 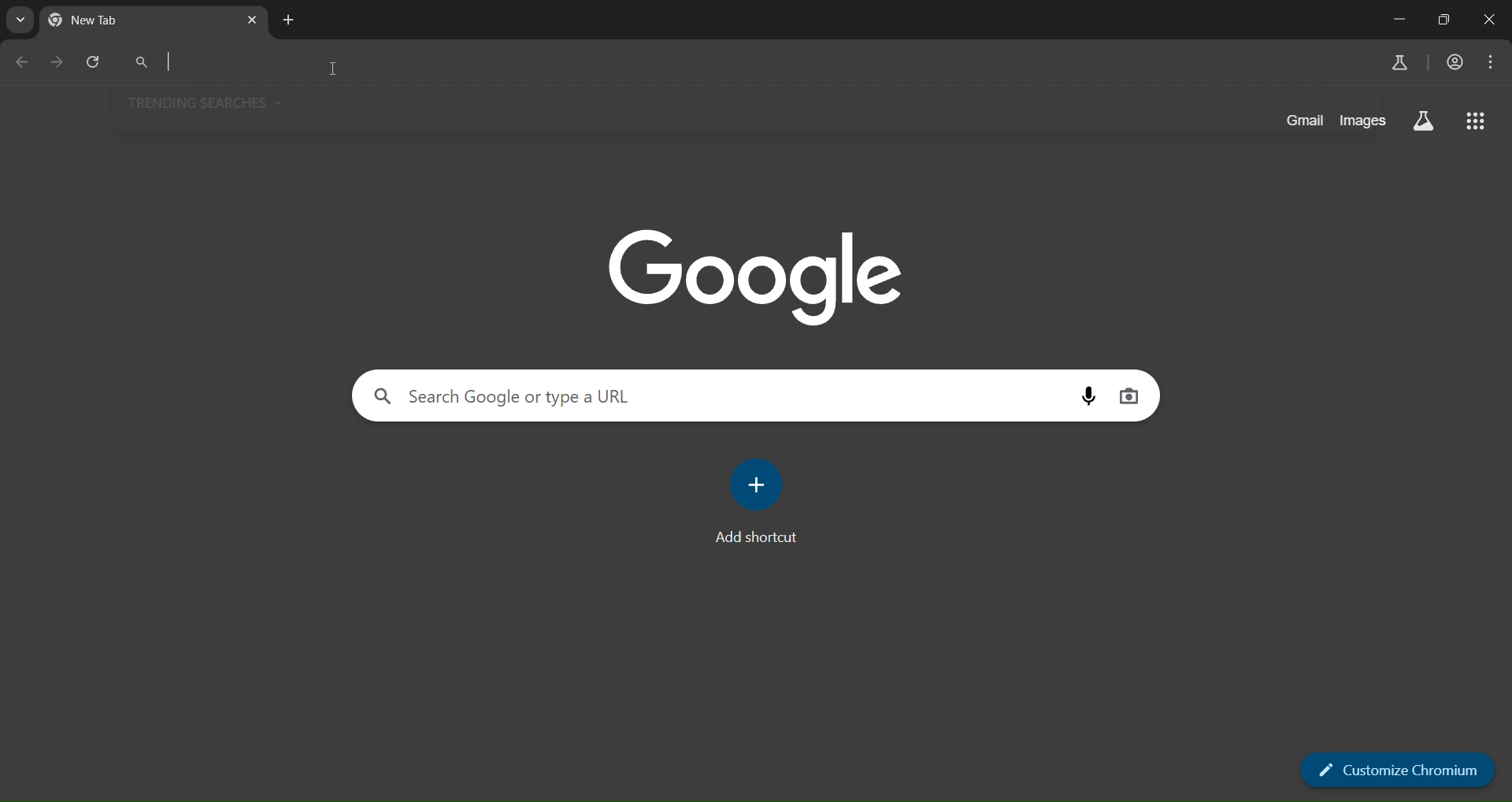 I want to click on Add shortcut, so click(x=762, y=540).